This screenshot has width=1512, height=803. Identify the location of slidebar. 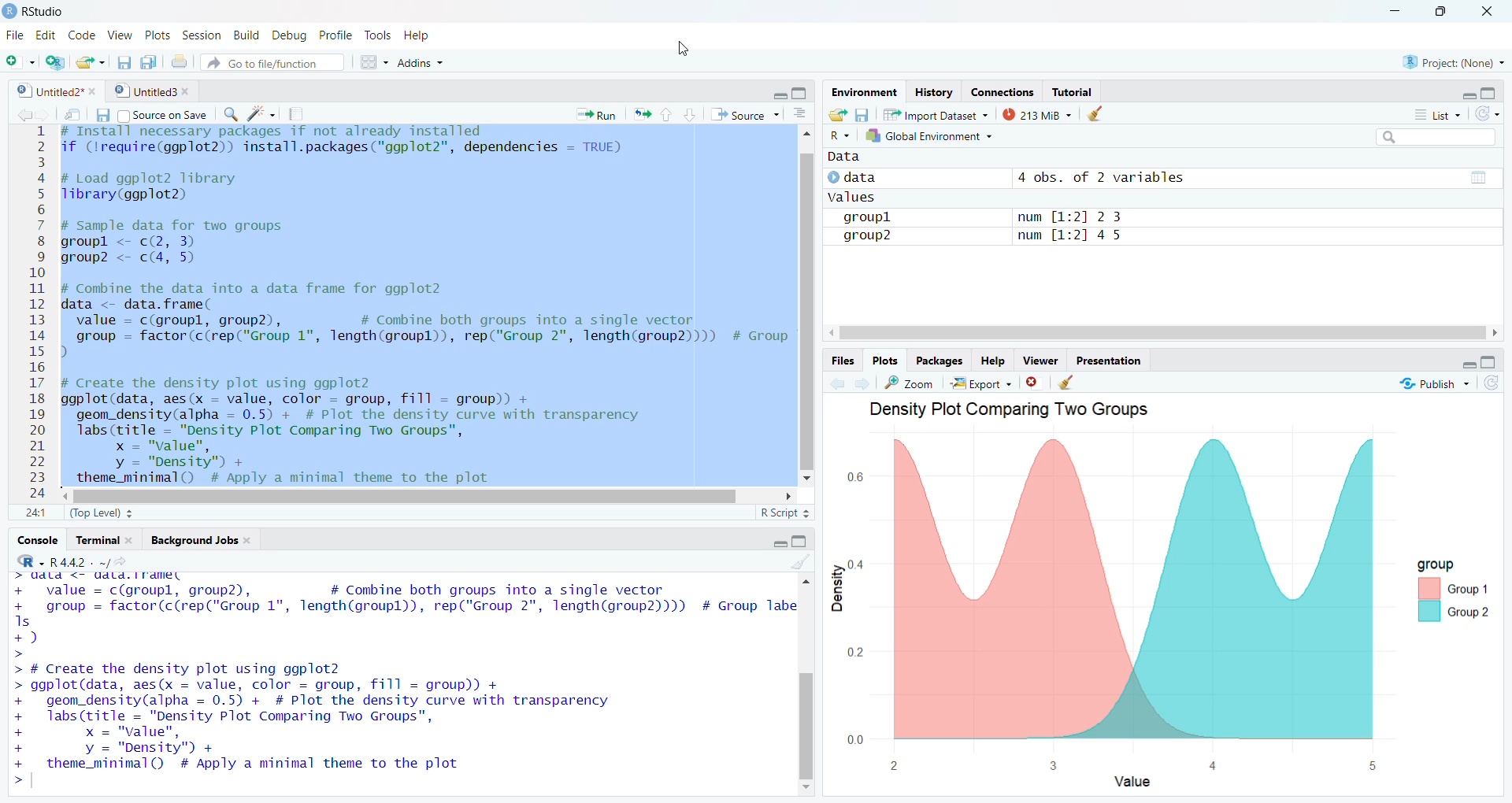
(810, 662).